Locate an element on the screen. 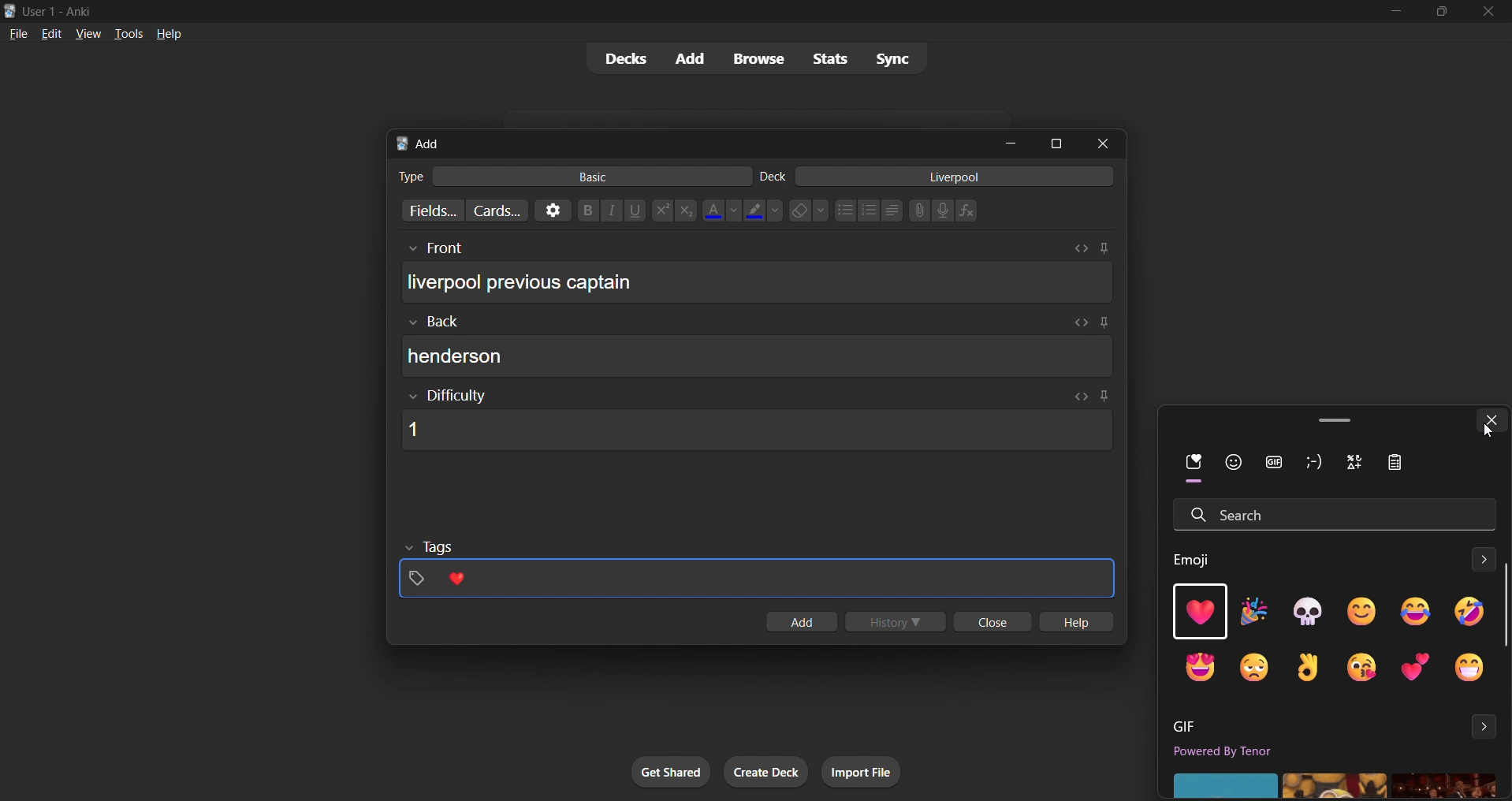 This screenshot has width=1512, height=801. Emoji is located at coordinates (1197, 559).